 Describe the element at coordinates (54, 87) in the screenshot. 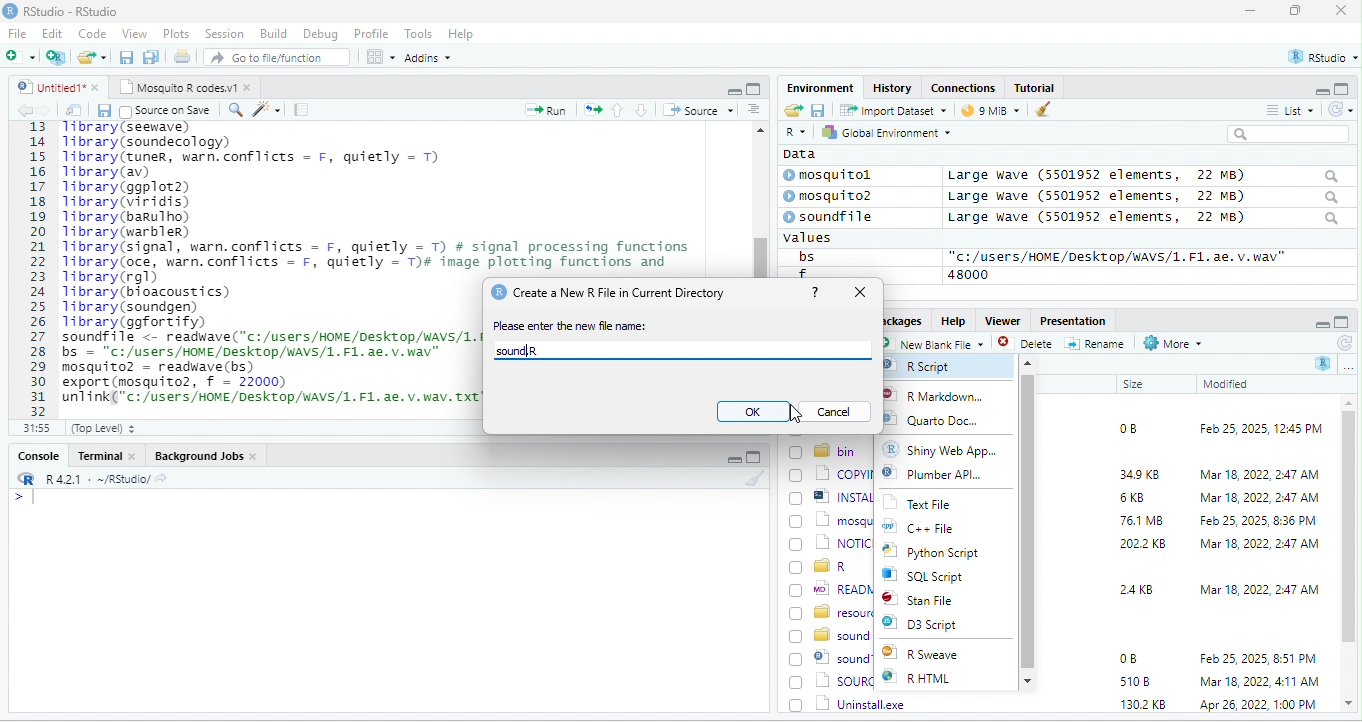

I see `© Untitied1* »` at that location.